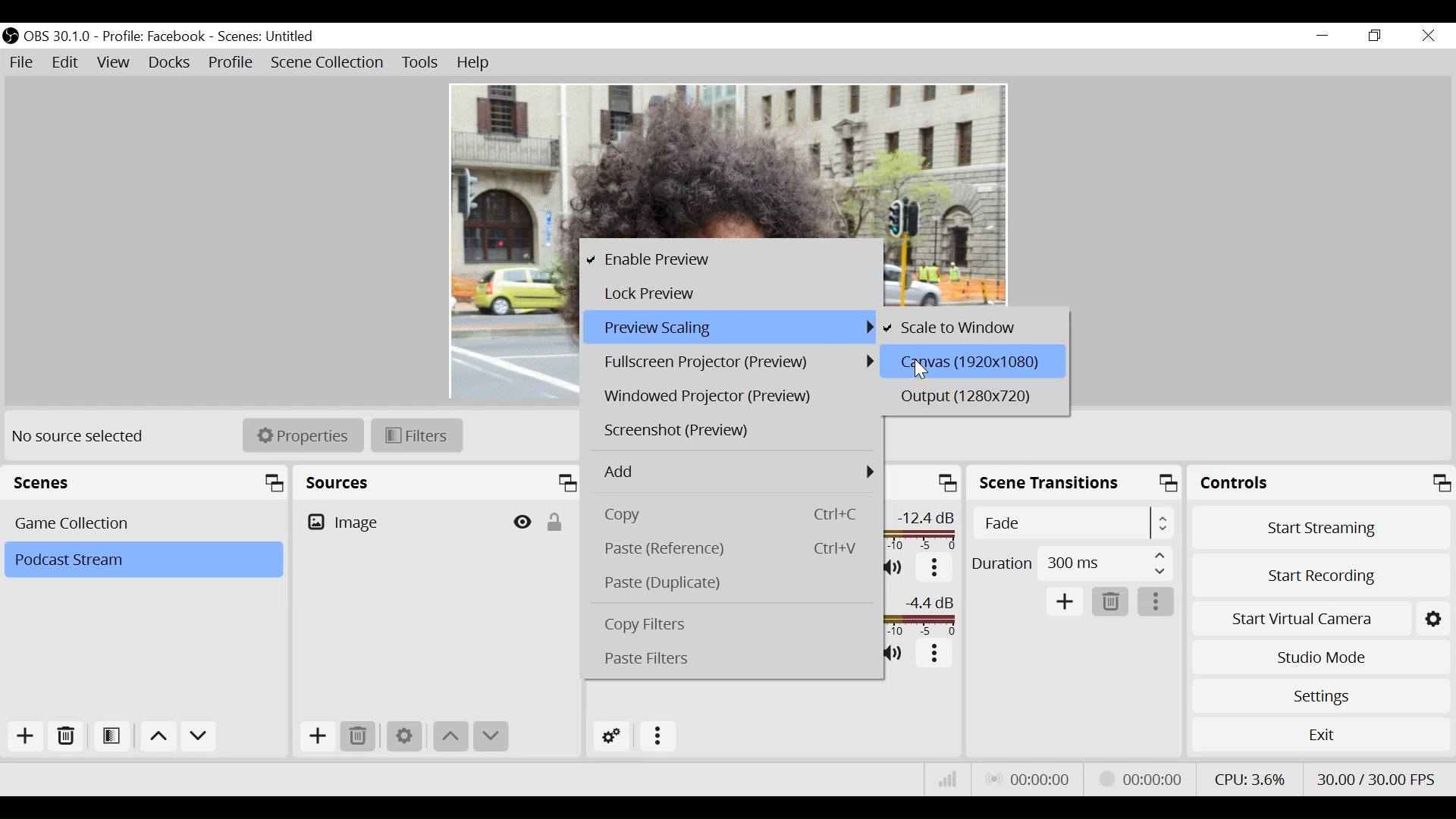 The height and width of the screenshot is (819, 1456). I want to click on Move down, so click(489, 736).